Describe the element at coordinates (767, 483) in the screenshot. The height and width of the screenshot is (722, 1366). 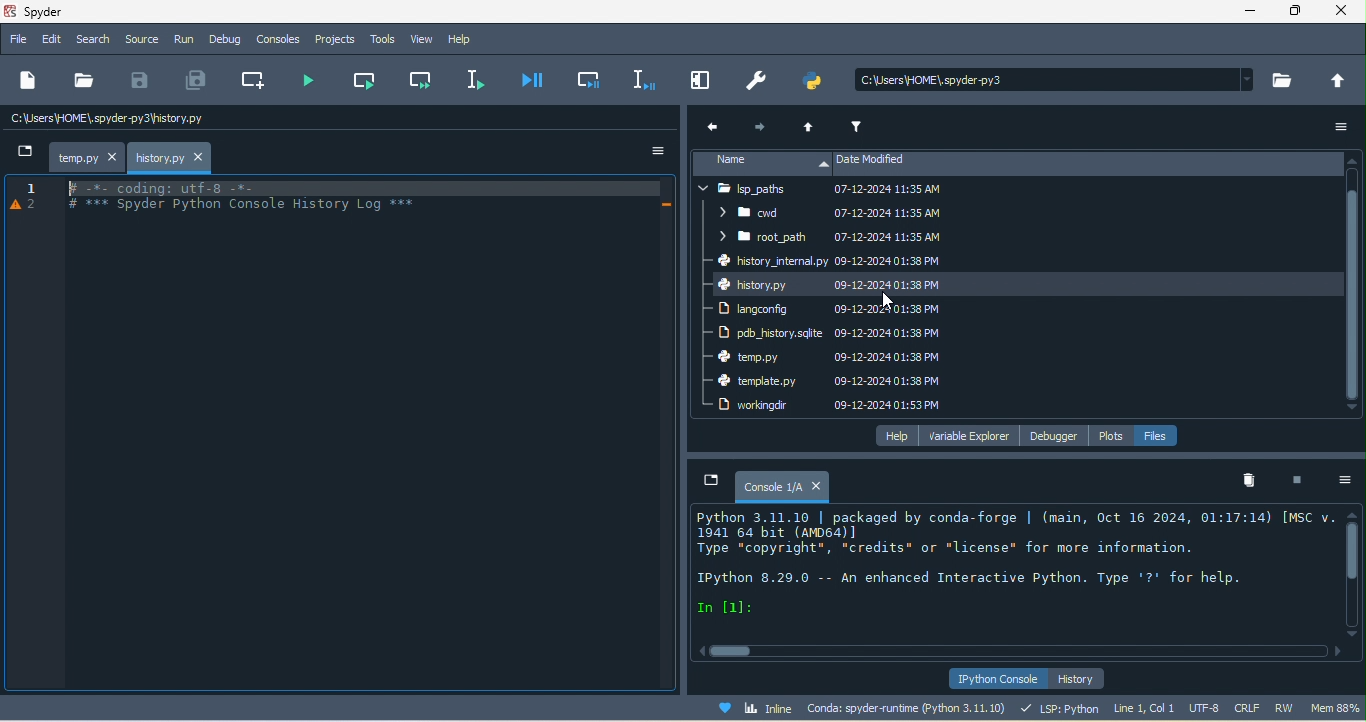
I see `console1/a` at that location.